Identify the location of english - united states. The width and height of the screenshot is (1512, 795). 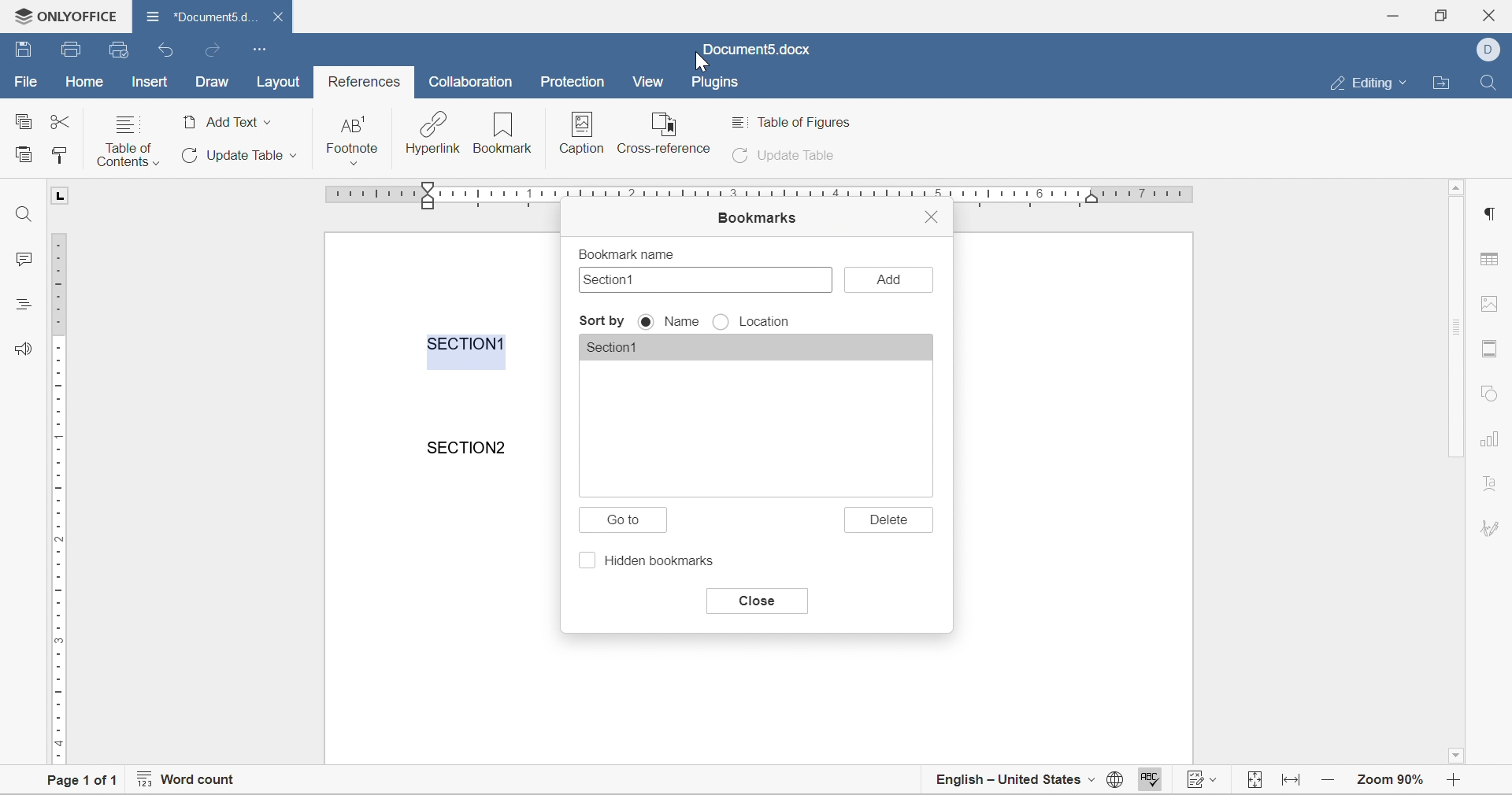
(1016, 782).